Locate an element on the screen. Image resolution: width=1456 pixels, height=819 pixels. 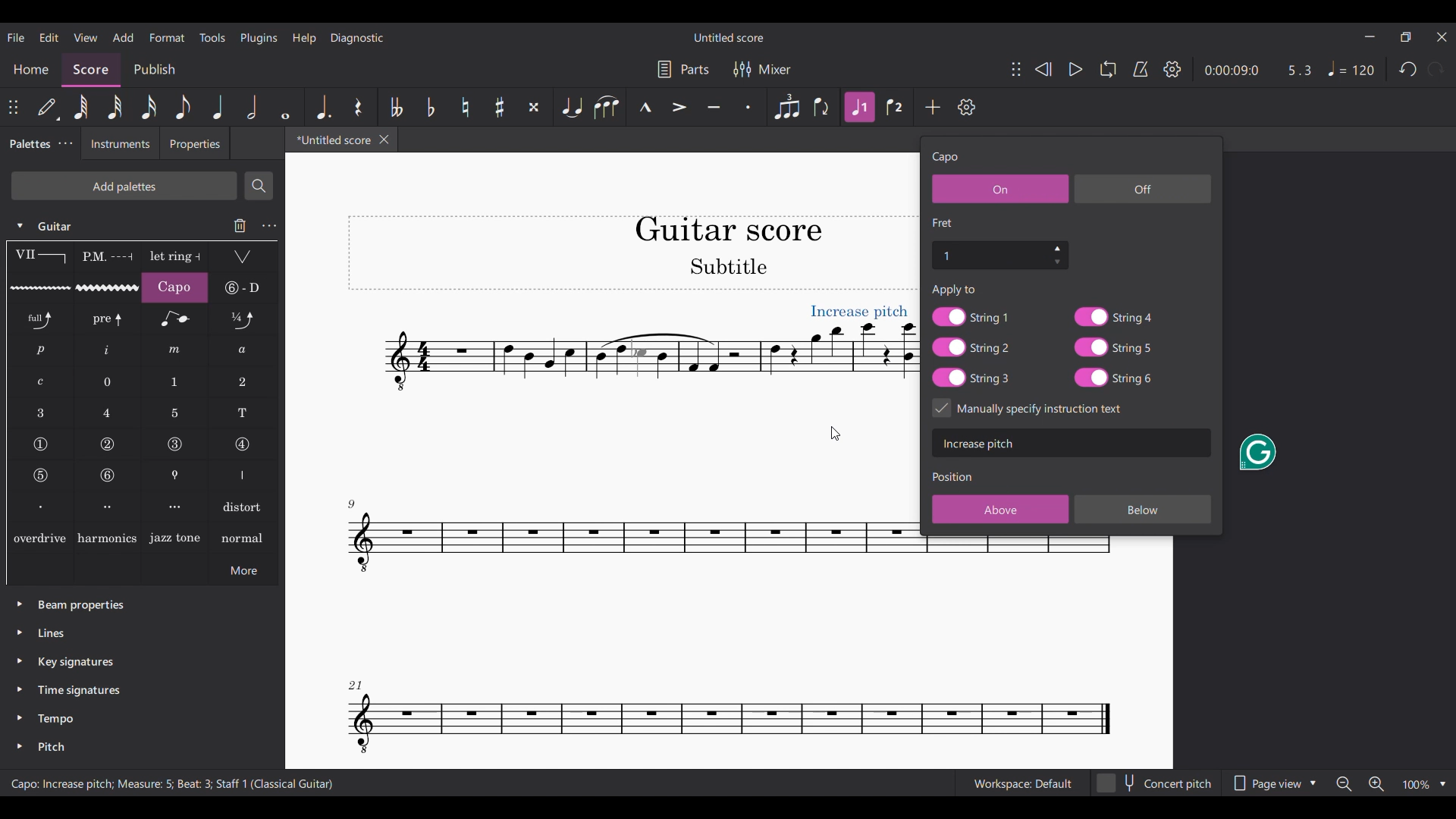
String 1 toggle is located at coordinates (972, 317).